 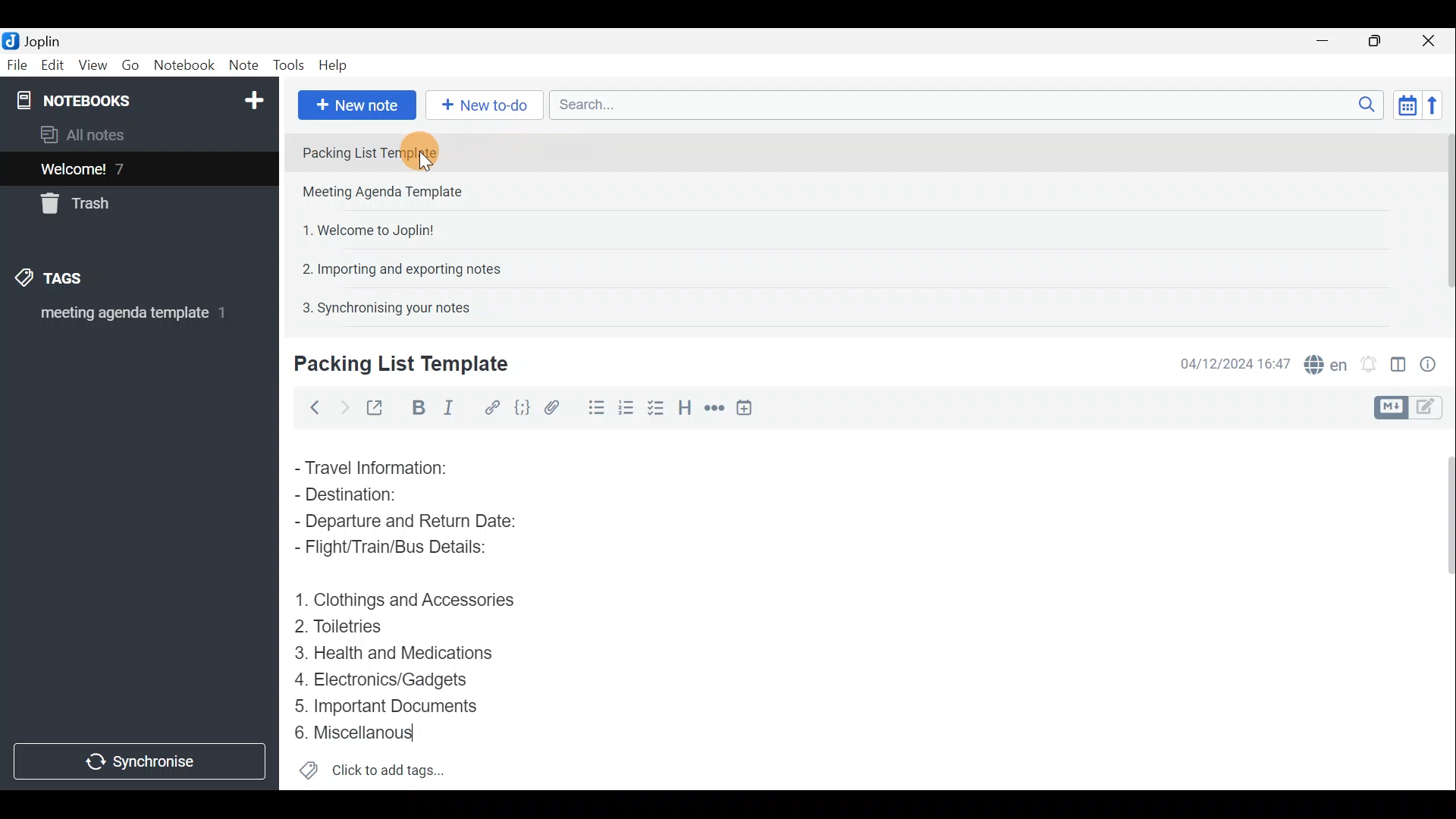 What do you see at coordinates (392, 365) in the screenshot?
I see `Creating new note` at bounding box center [392, 365].